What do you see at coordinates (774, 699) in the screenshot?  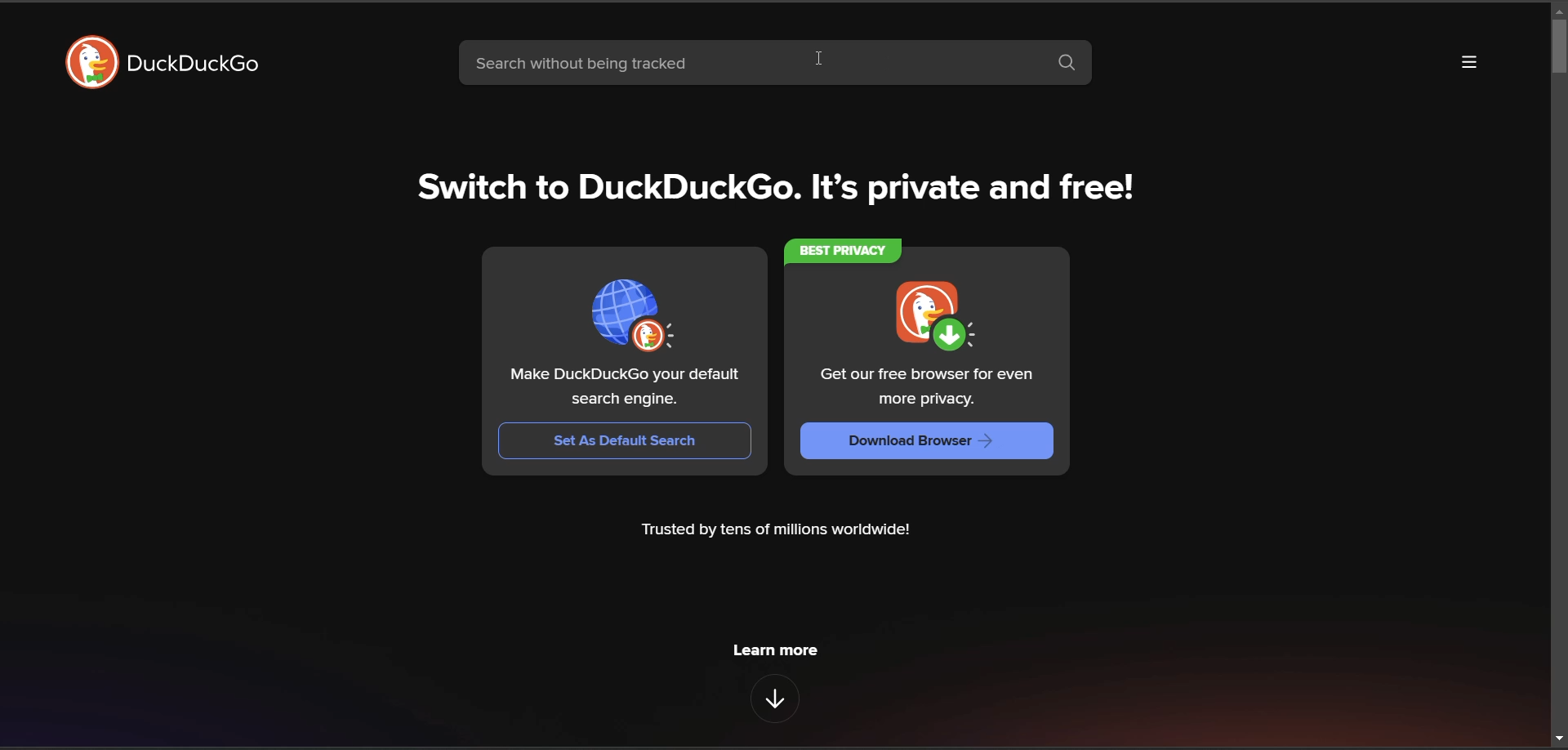 I see `features` at bounding box center [774, 699].